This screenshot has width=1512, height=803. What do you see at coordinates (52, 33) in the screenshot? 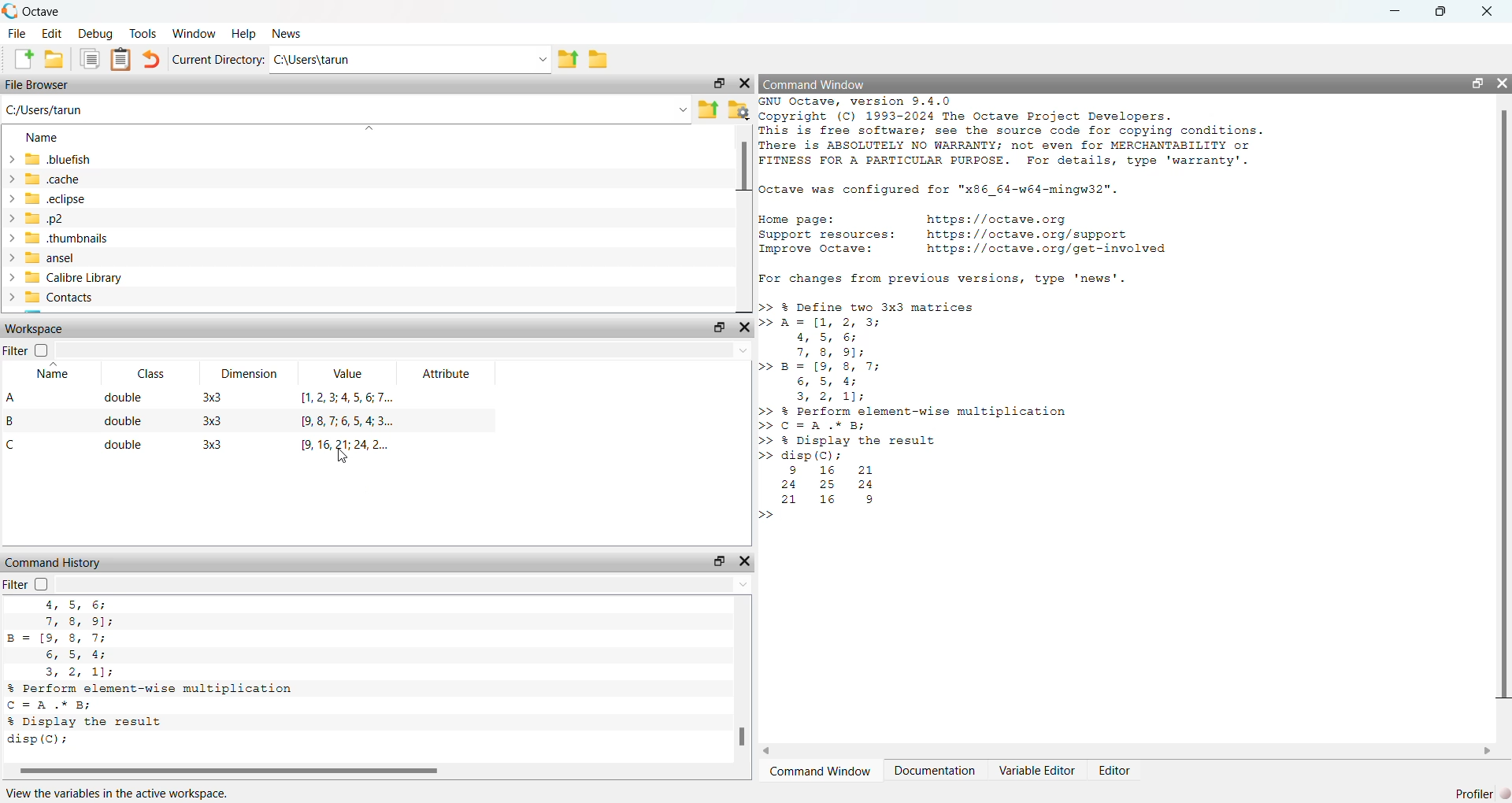
I see `Edit` at bounding box center [52, 33].